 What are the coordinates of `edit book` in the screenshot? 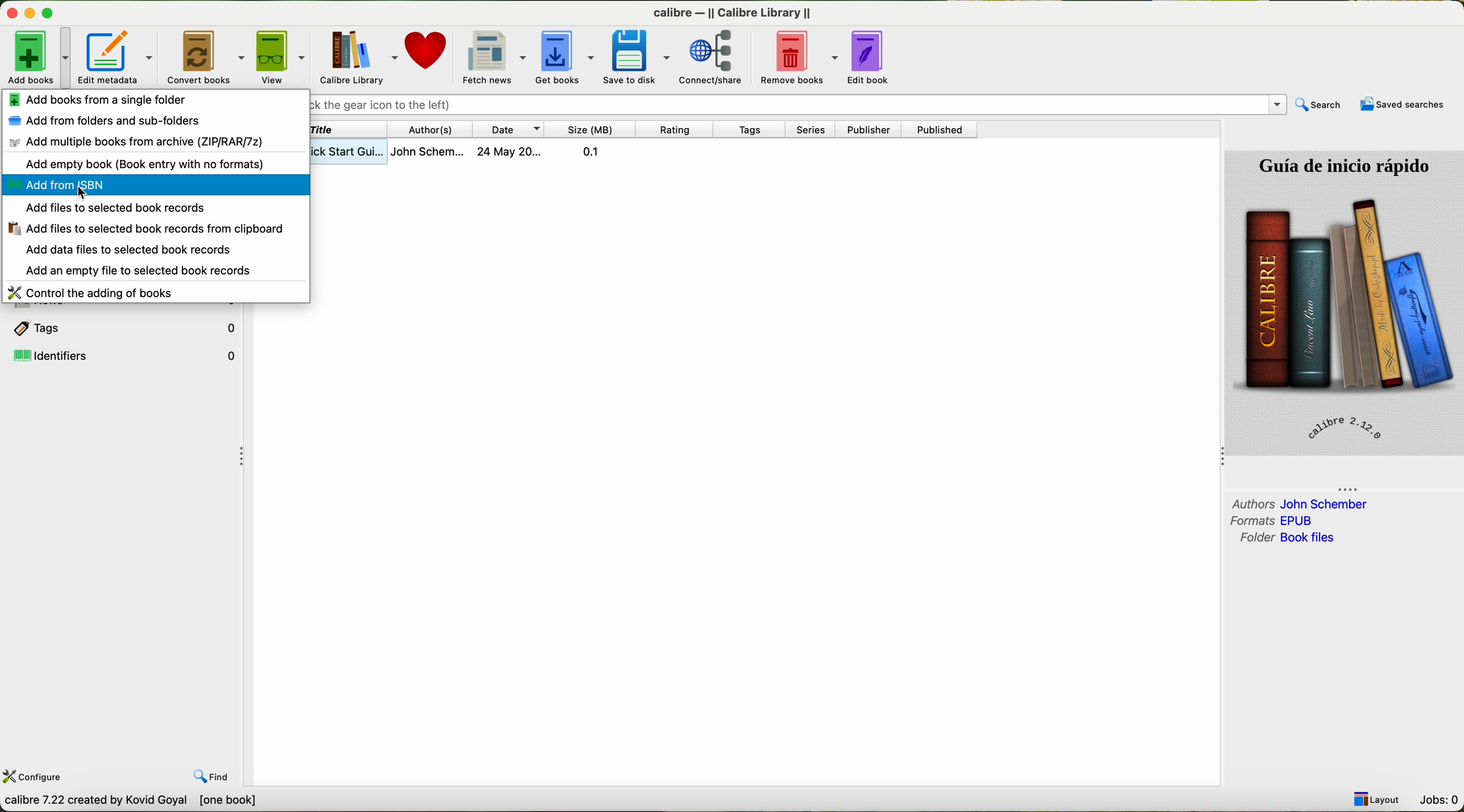 It's located at (873, 57).